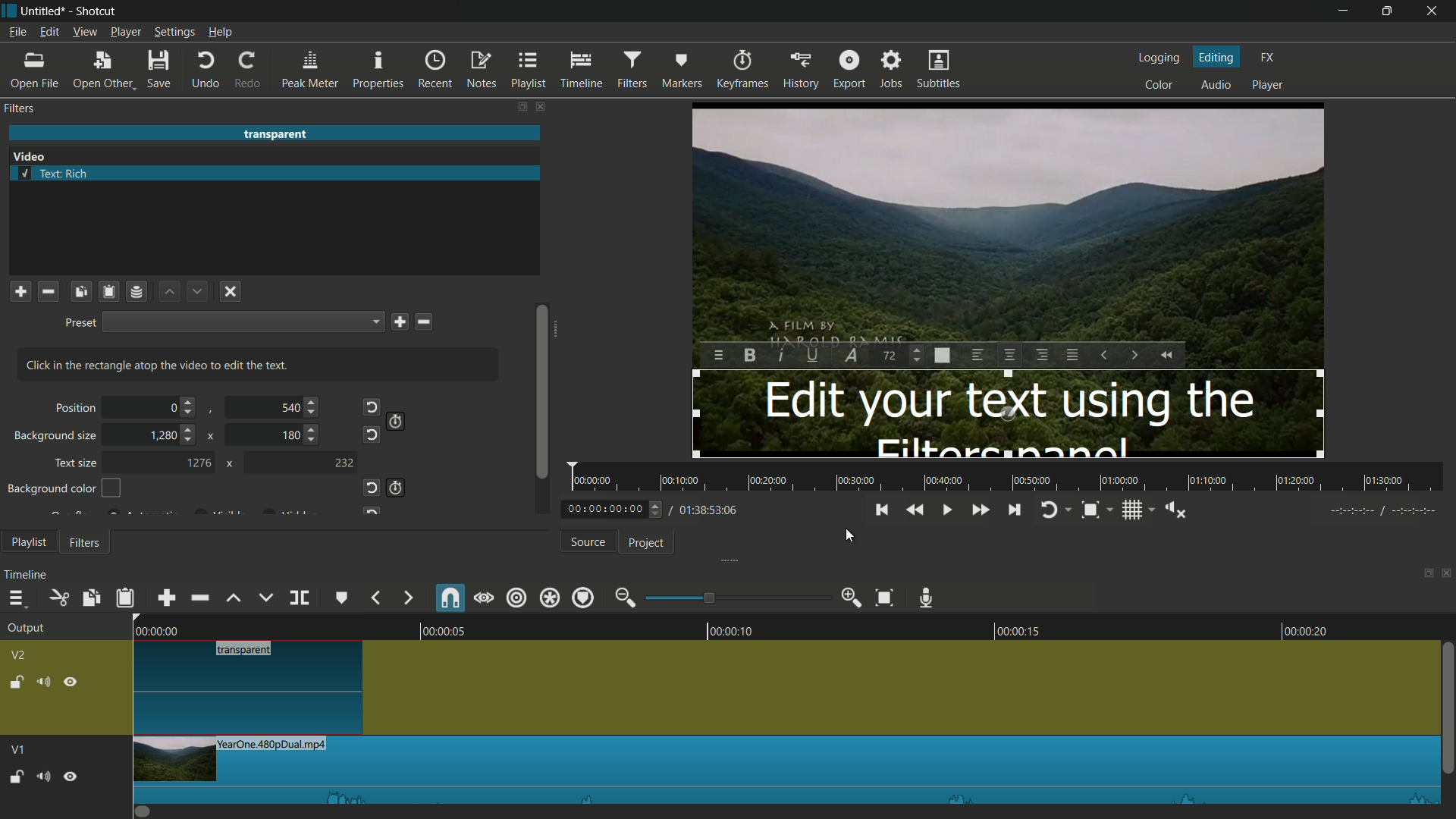 This screenshot has height=819, width=1456. What do you see at coordinates (782, 355) in the screenshot?
I see `italic` at bounding box center [782, 355].